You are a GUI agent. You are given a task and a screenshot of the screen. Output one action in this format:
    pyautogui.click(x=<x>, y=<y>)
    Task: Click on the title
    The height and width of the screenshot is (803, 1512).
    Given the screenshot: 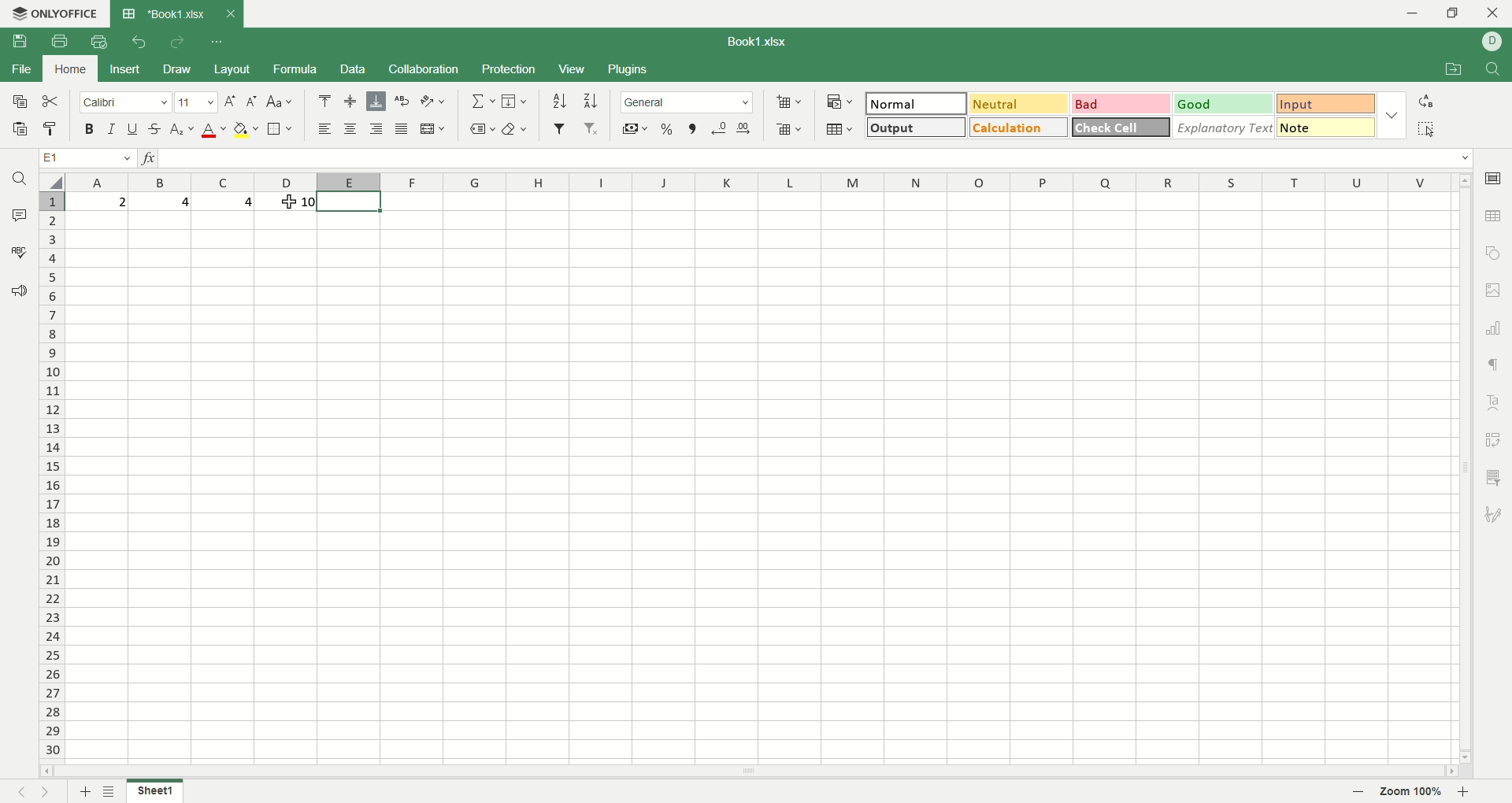 What is the action you would take?
    pyautogui.click(x=174, y=13)
    